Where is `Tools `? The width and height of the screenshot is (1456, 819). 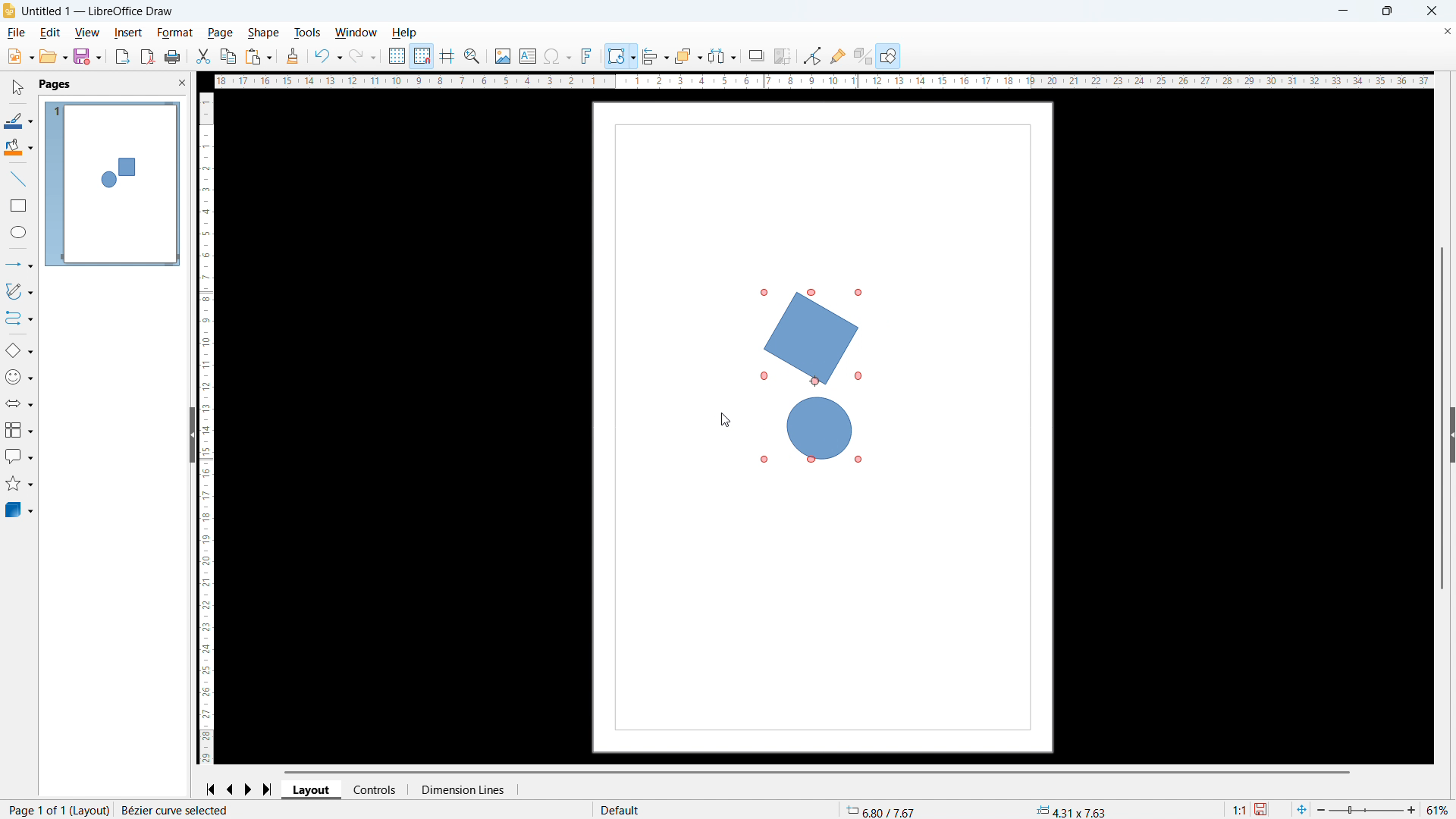 Tools  is located at coordinates (308, 32).